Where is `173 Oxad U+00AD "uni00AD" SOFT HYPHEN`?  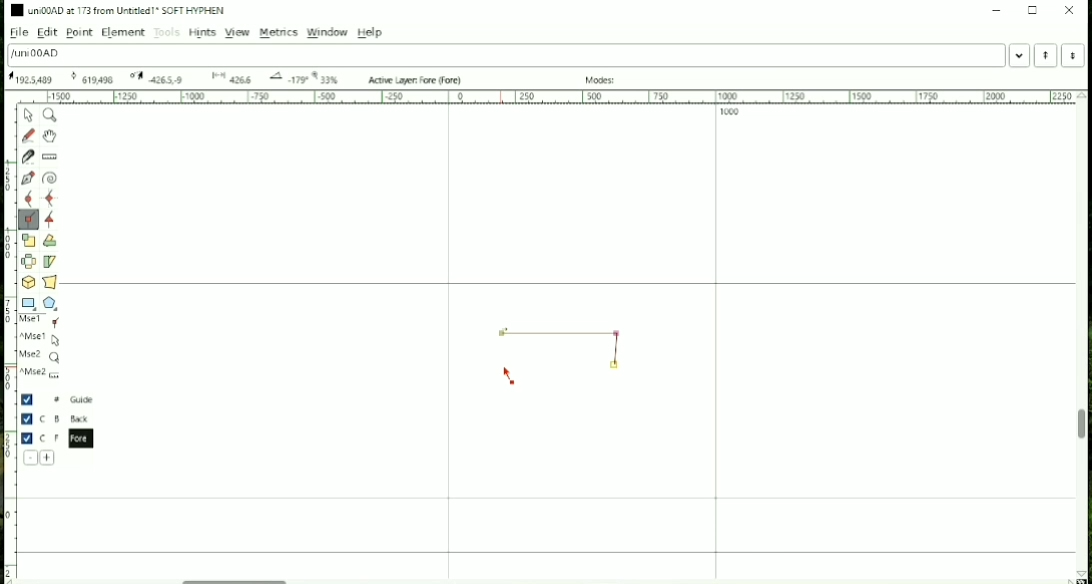
173 Oxad U+00AD "uni00AD" SOFT HYPHEN is located at coordinates (288, 79).